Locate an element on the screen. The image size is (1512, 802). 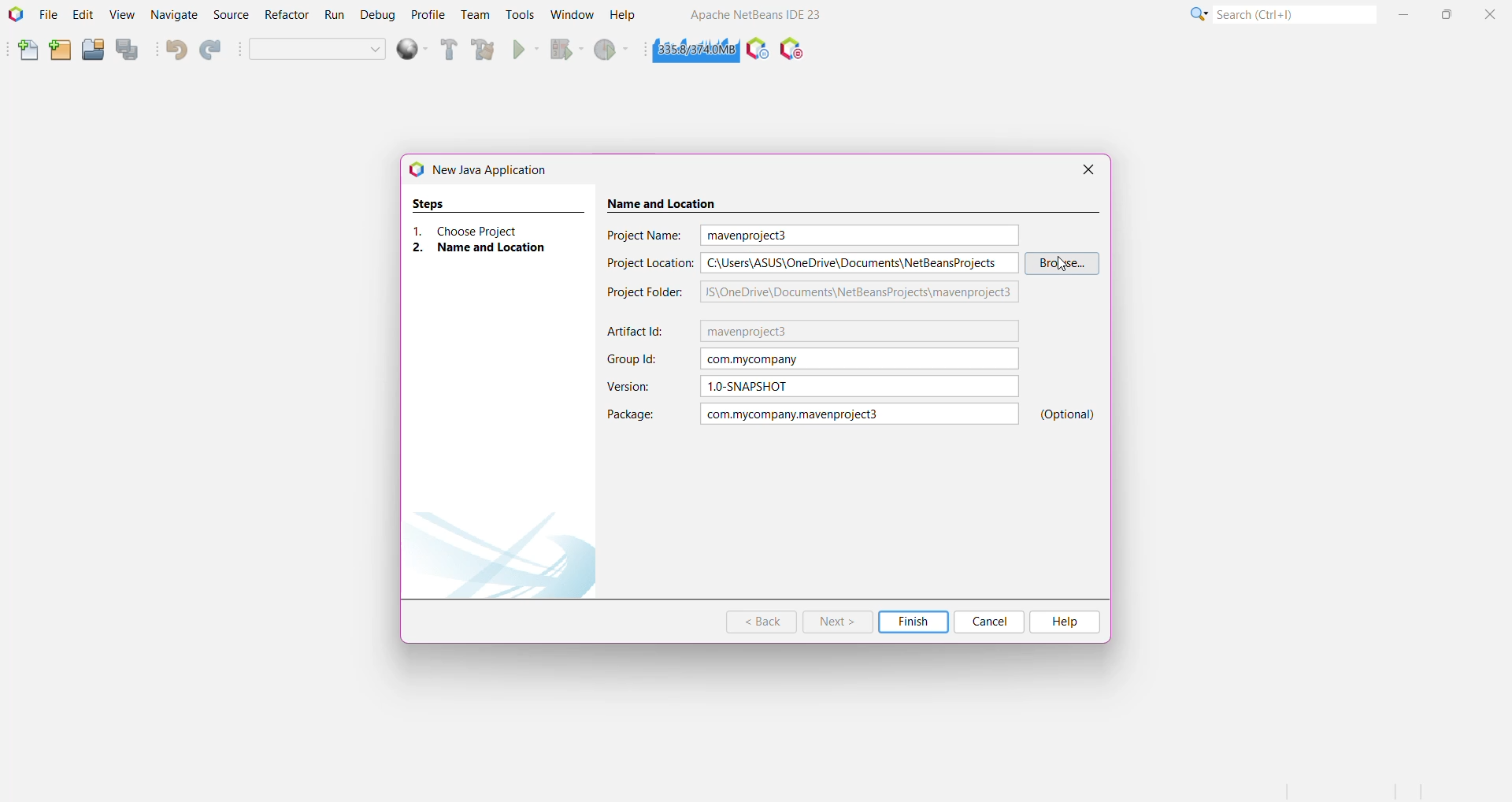
Cancel is located at coordinates (991, 622).